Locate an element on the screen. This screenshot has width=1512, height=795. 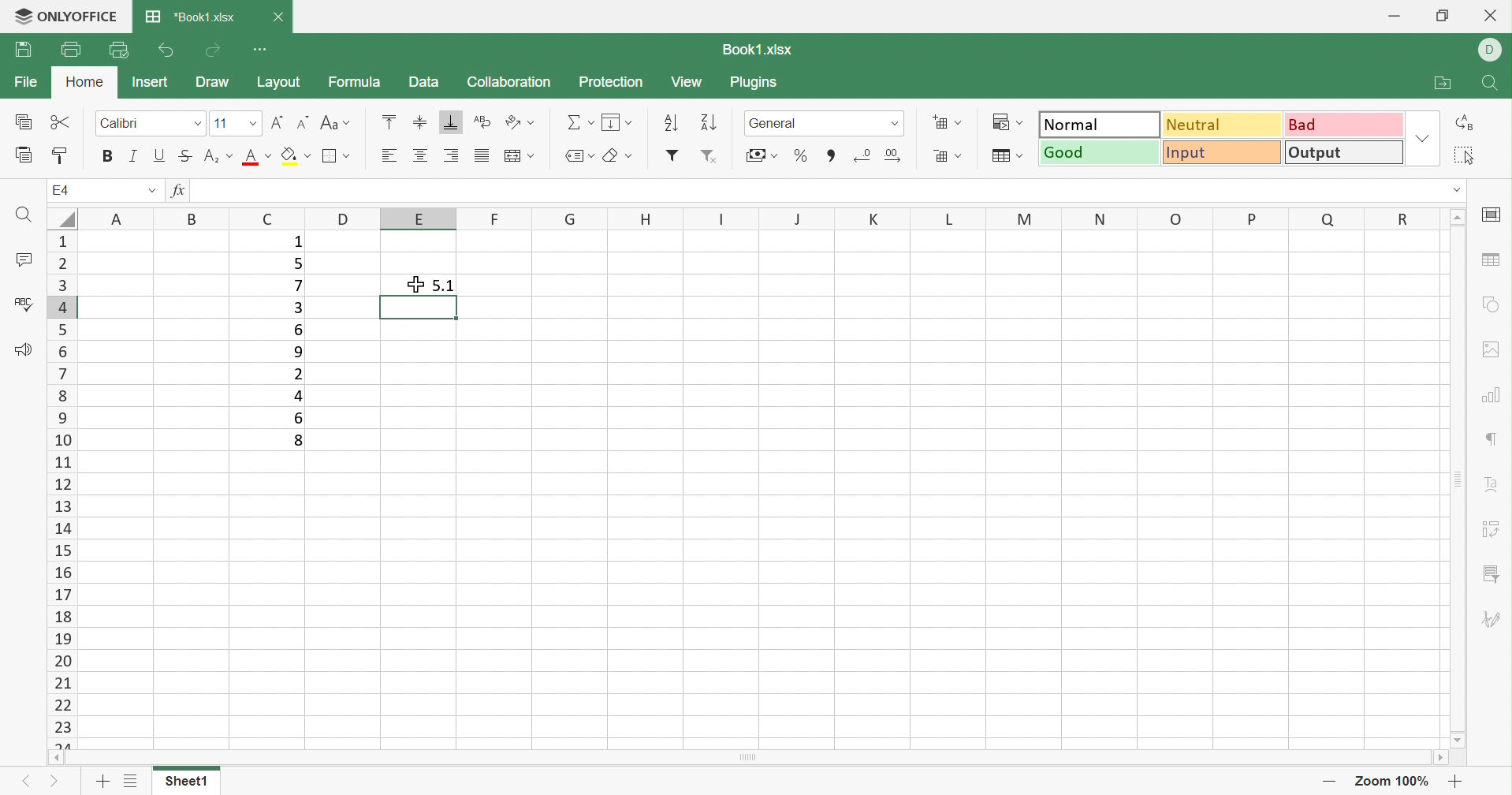
Undo is located at coordinates (168, 52).